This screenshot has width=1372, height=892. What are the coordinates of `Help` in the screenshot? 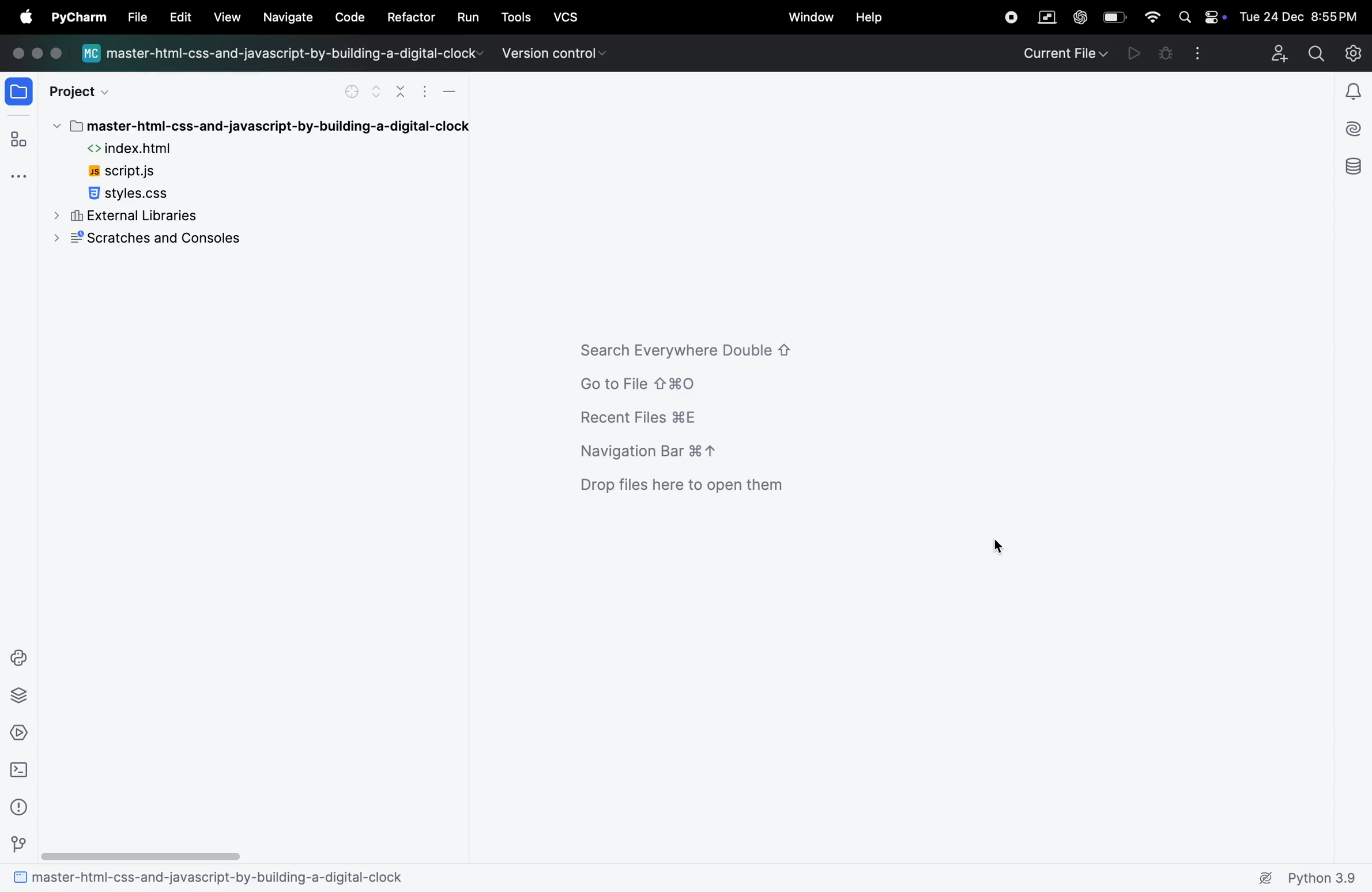 It's located at (875, 17).